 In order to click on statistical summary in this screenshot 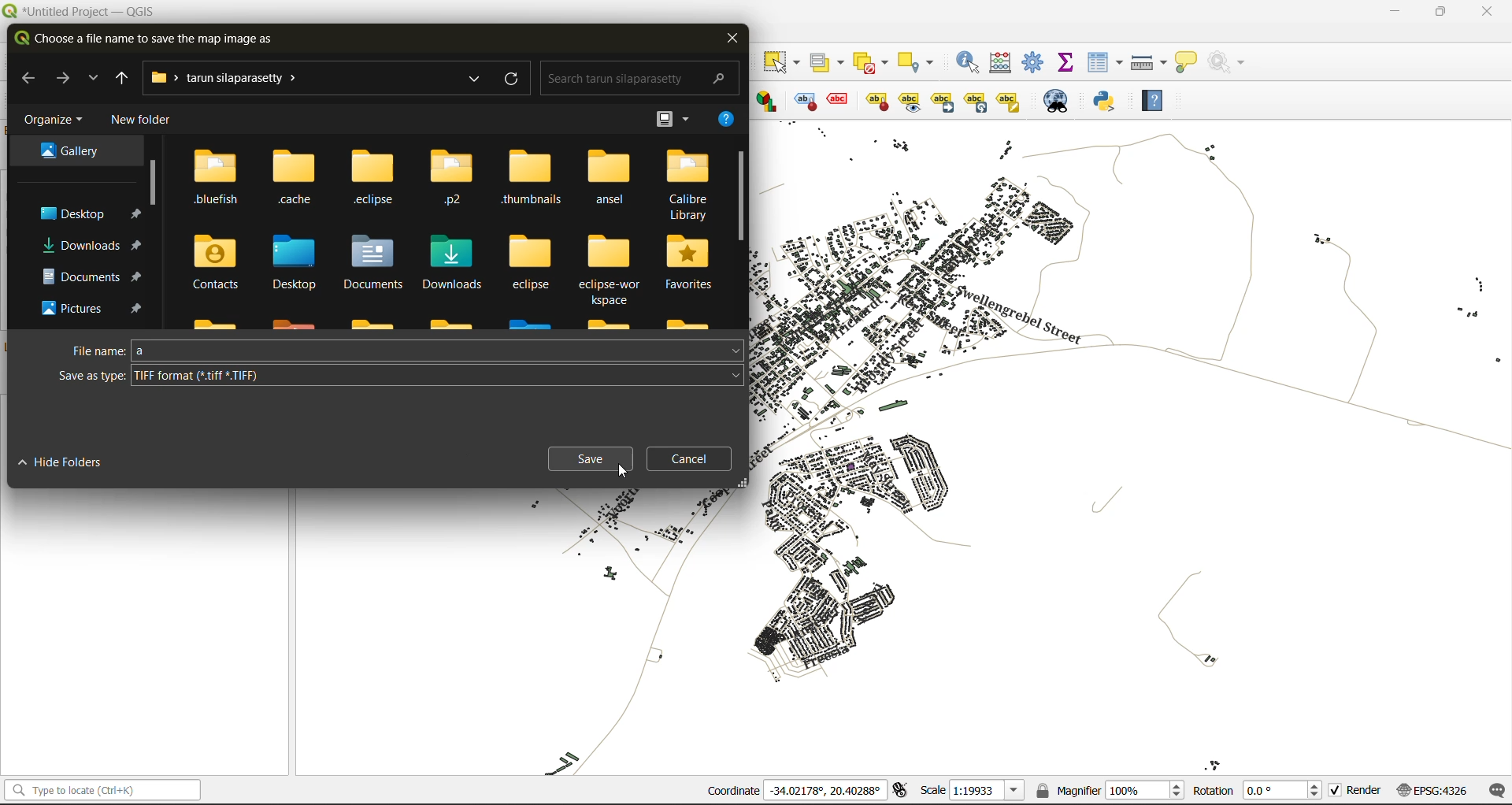, I will do `click(1066, 64)`.